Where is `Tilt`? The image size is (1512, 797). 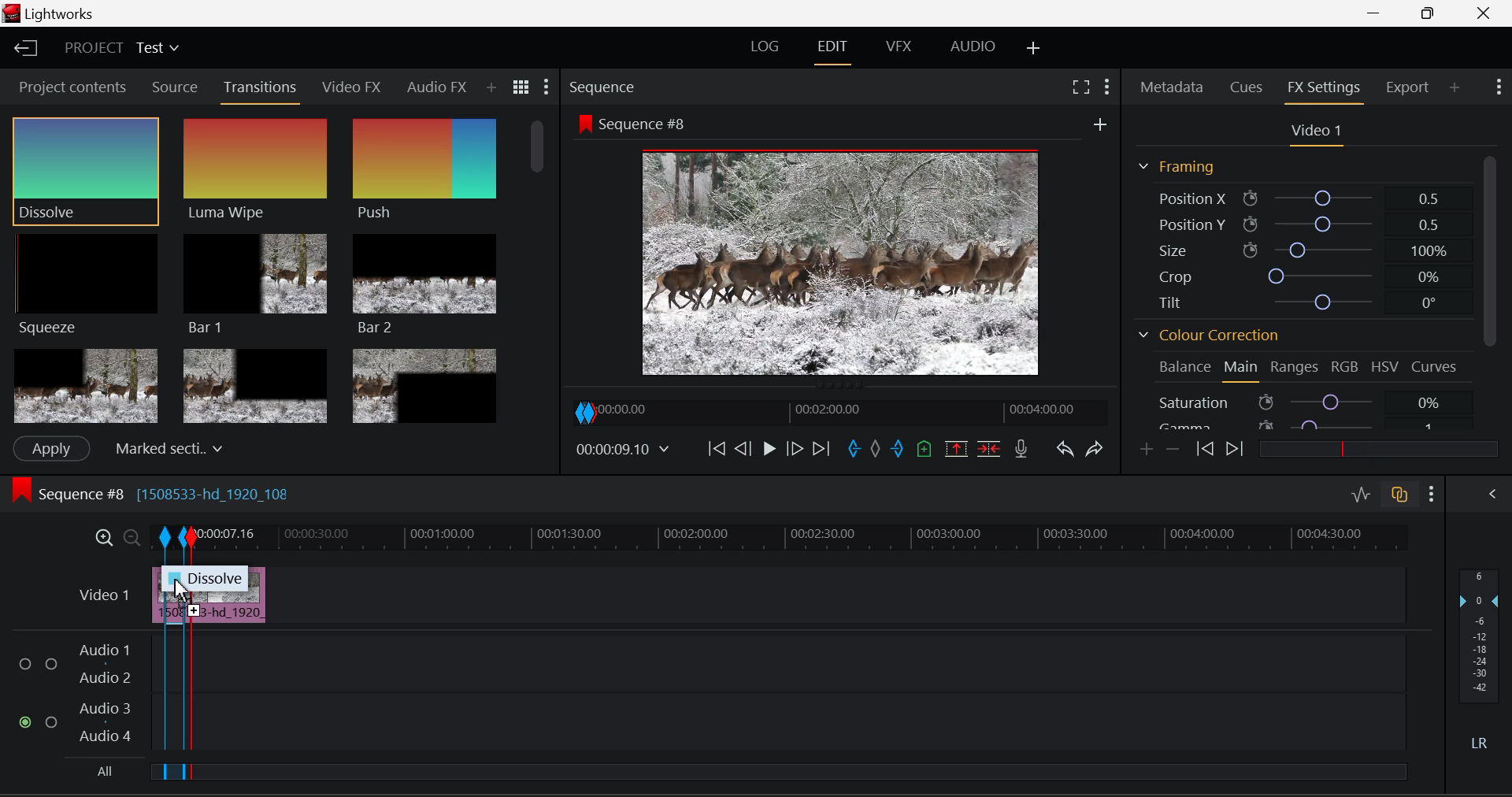
Tilt is located at coordinates (1295, 301).